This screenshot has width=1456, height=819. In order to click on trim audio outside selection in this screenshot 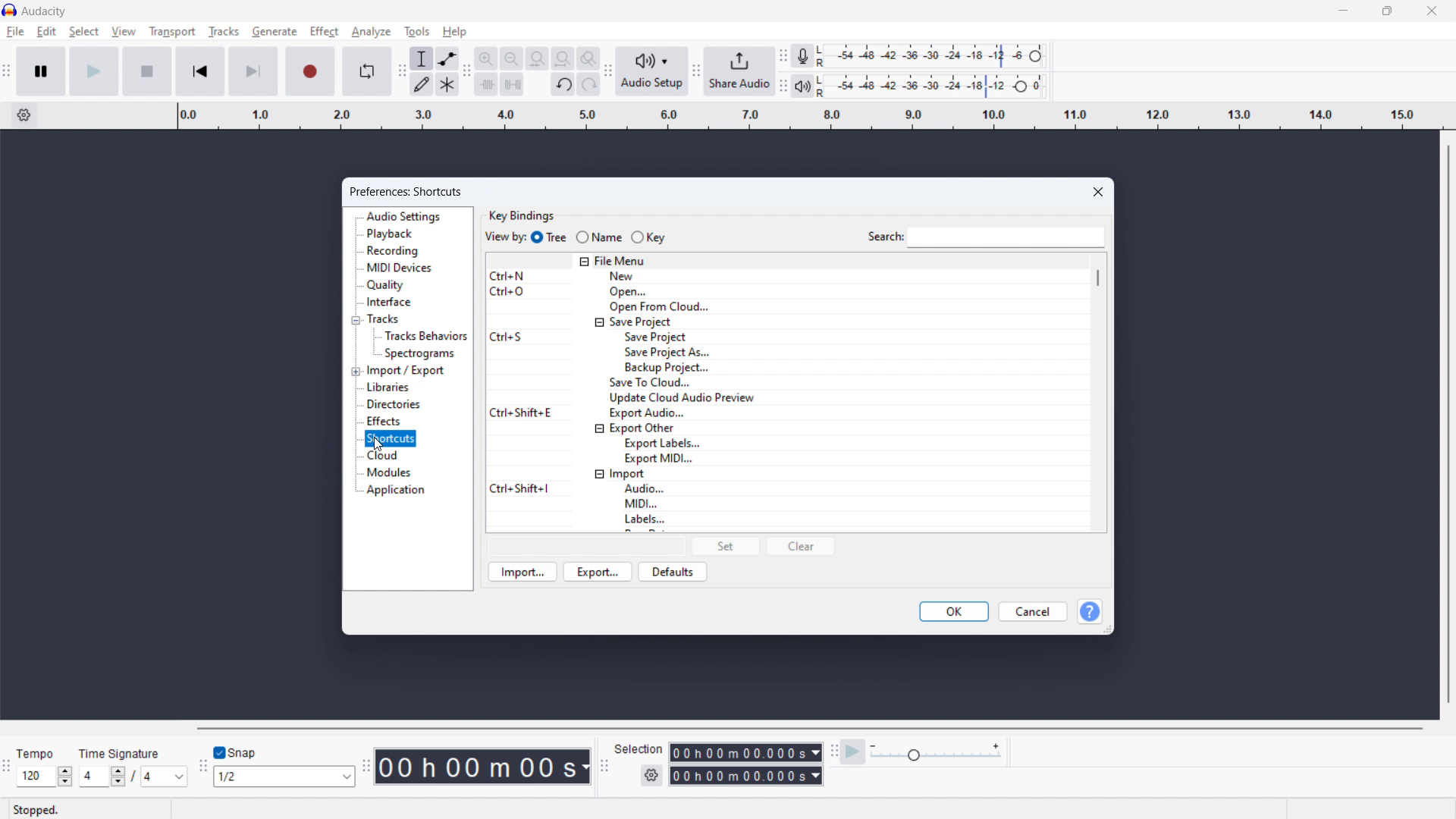, I will do `click(486, 83)`.